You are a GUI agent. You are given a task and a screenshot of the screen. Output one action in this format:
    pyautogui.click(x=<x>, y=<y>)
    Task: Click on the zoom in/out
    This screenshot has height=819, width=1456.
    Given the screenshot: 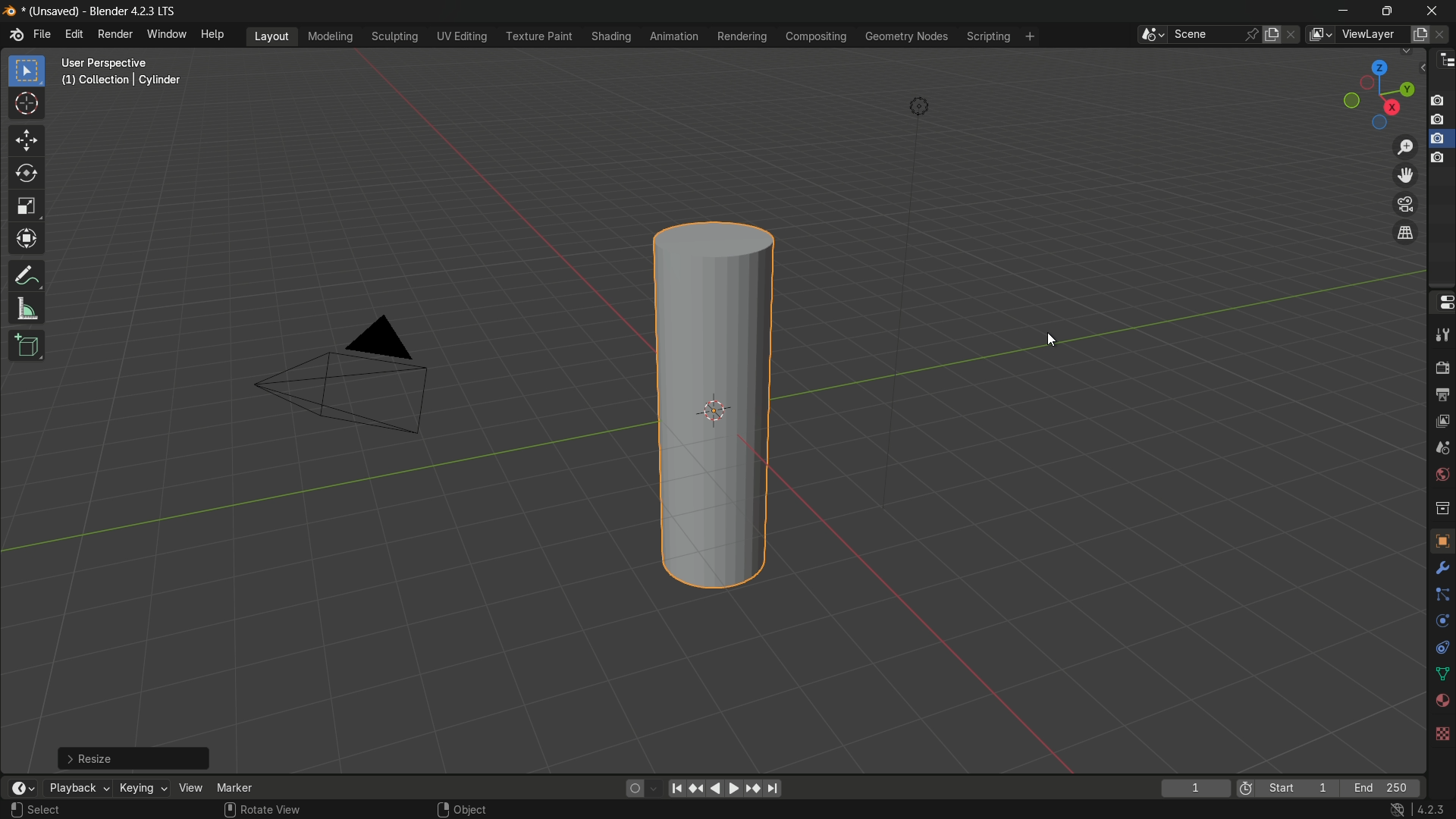 What is the action you would take?
    pyautogui.click(x=1405, y=146)
    